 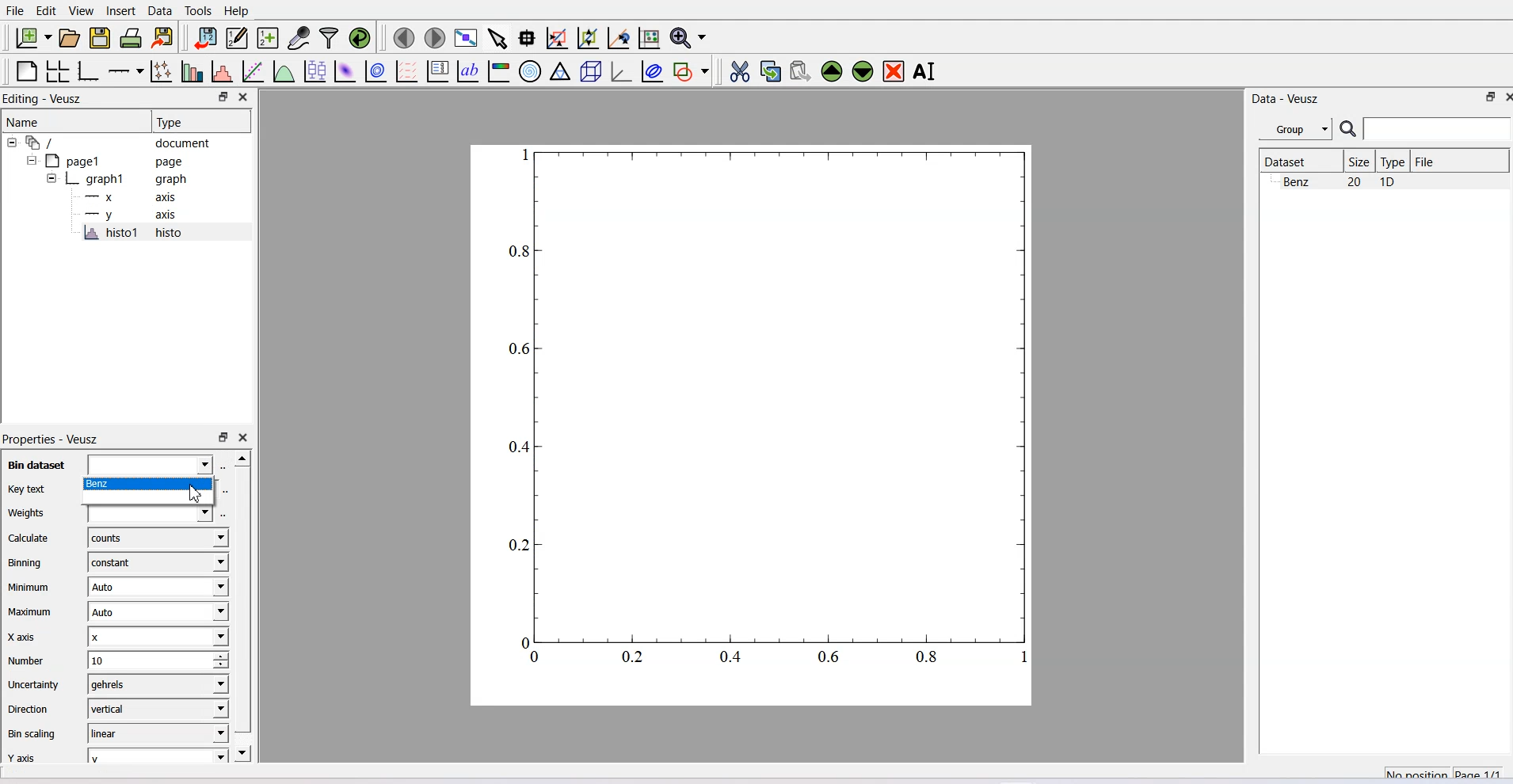 I want to click on Open a document, so click(x=69, y=37).